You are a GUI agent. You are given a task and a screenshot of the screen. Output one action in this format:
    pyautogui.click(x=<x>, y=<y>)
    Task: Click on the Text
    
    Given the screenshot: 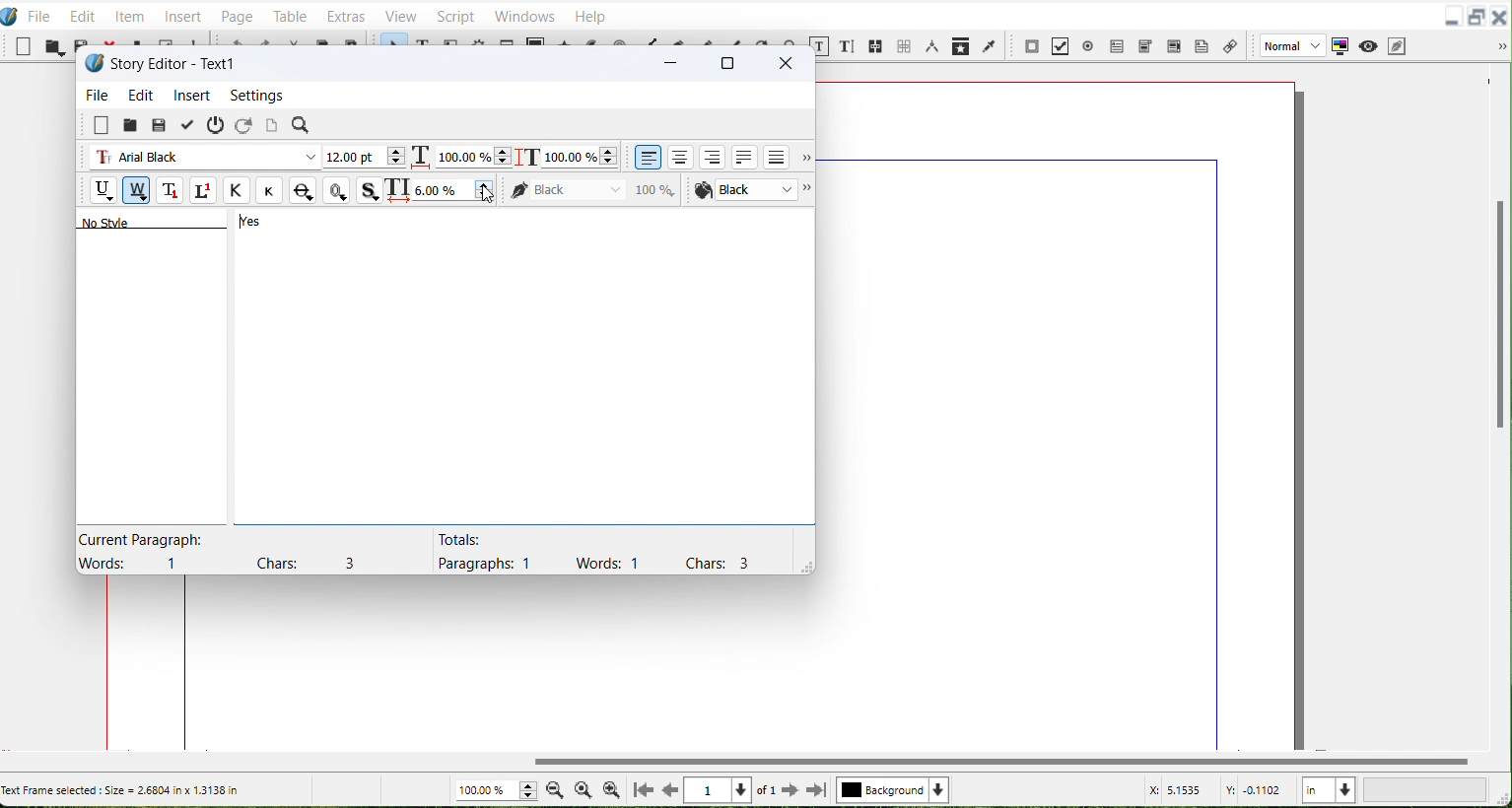 What is the action you would take?
    pyautogui.click(x=191, y=223)
    